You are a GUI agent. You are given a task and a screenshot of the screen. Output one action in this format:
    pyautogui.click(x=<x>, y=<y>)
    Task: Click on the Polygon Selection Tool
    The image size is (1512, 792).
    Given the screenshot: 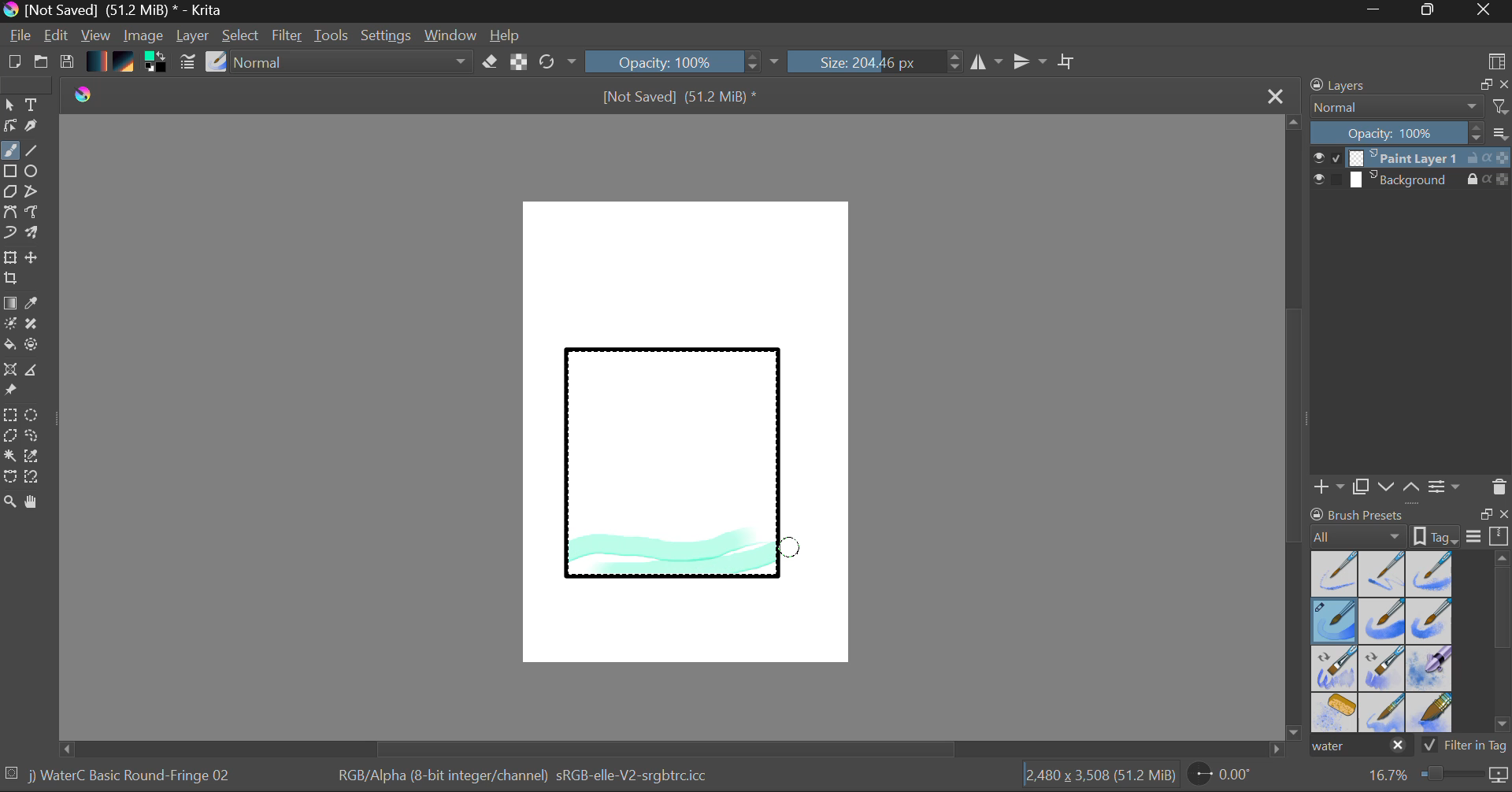 What is the action you would take?
    pyautogui.click(x=9, y=436)
    